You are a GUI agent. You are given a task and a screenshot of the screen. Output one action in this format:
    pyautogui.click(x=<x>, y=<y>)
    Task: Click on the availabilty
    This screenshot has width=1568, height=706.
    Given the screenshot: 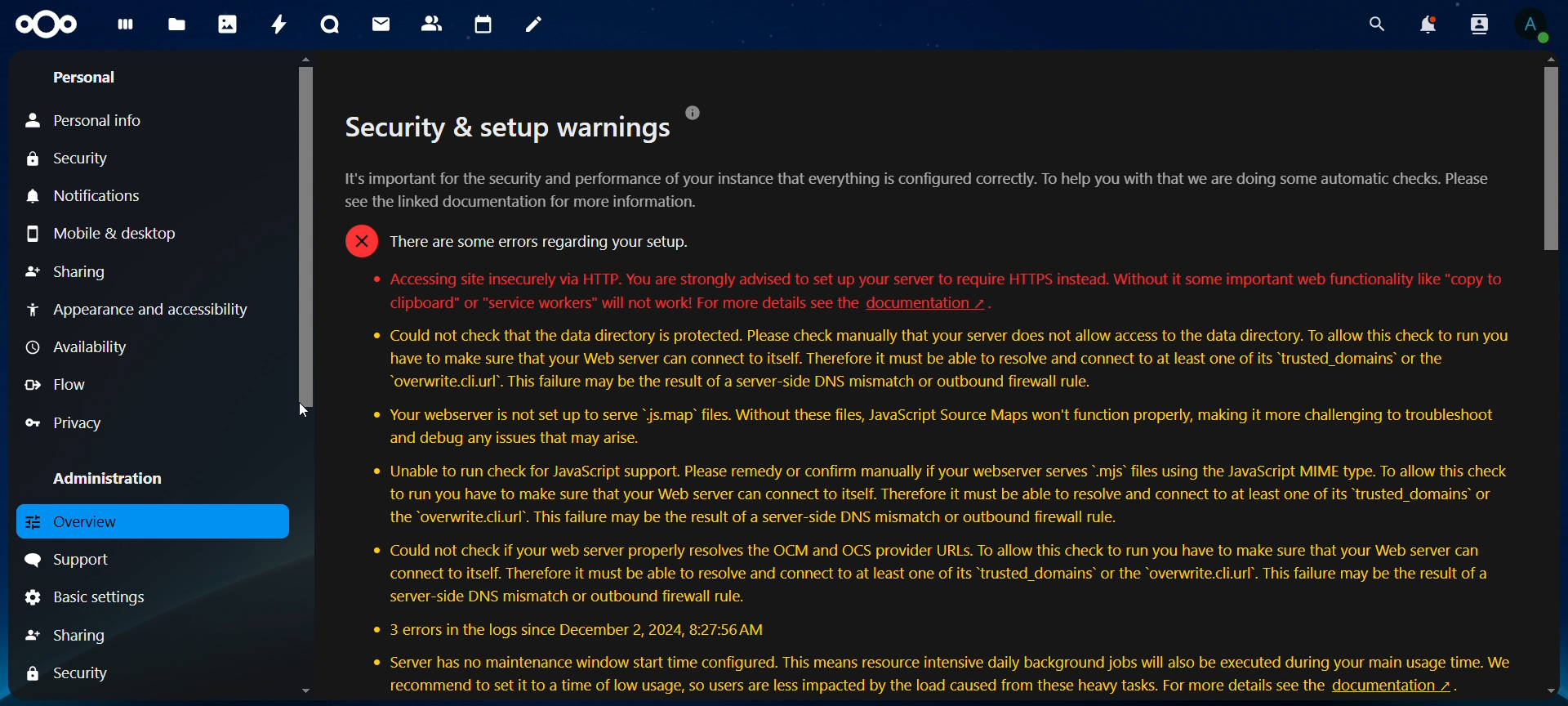 What is the action you would take?
    pyautogui.click(x=81, y=349)
    